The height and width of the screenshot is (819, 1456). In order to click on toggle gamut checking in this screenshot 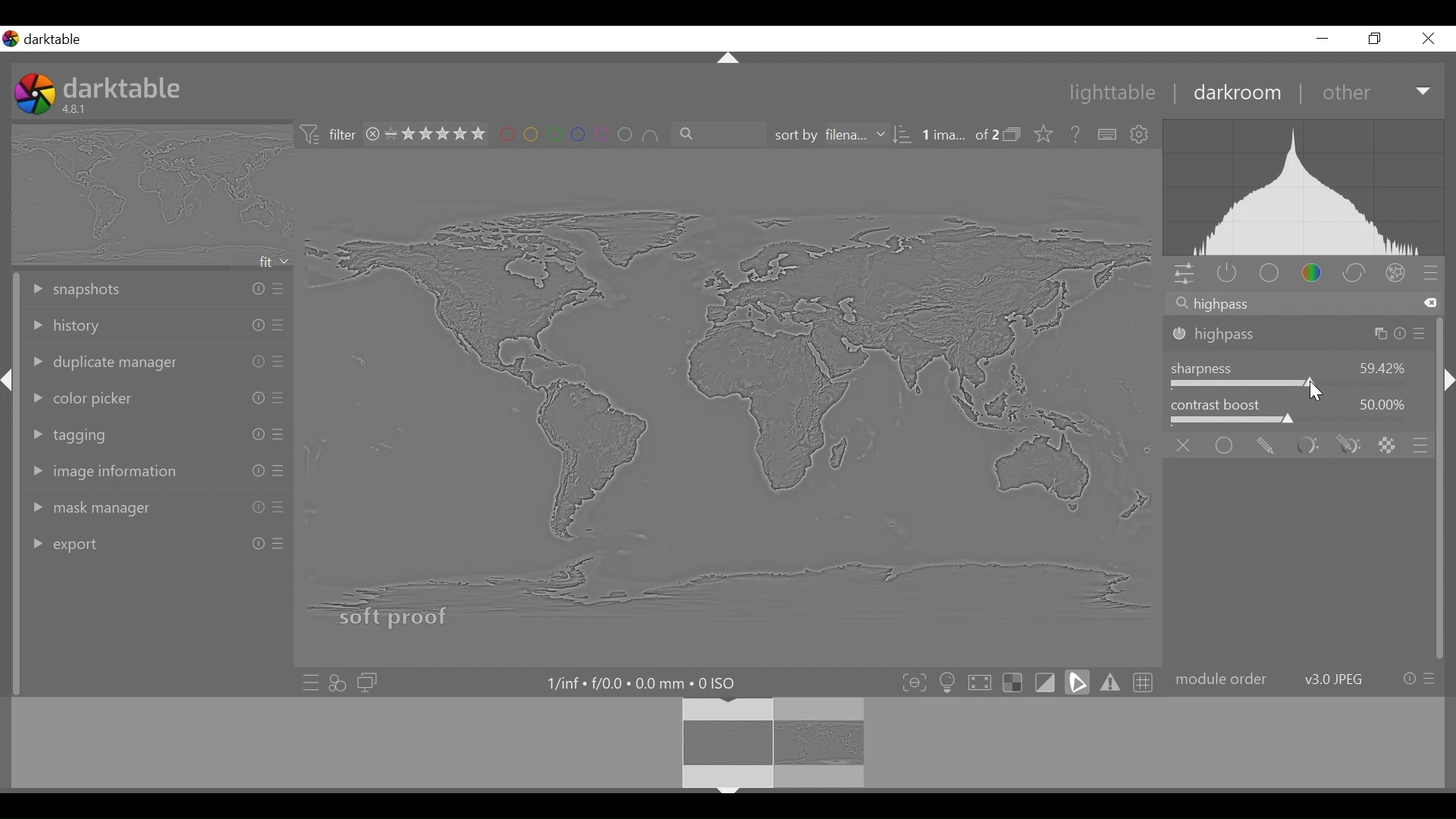, I will do `click(1111, 682)`.